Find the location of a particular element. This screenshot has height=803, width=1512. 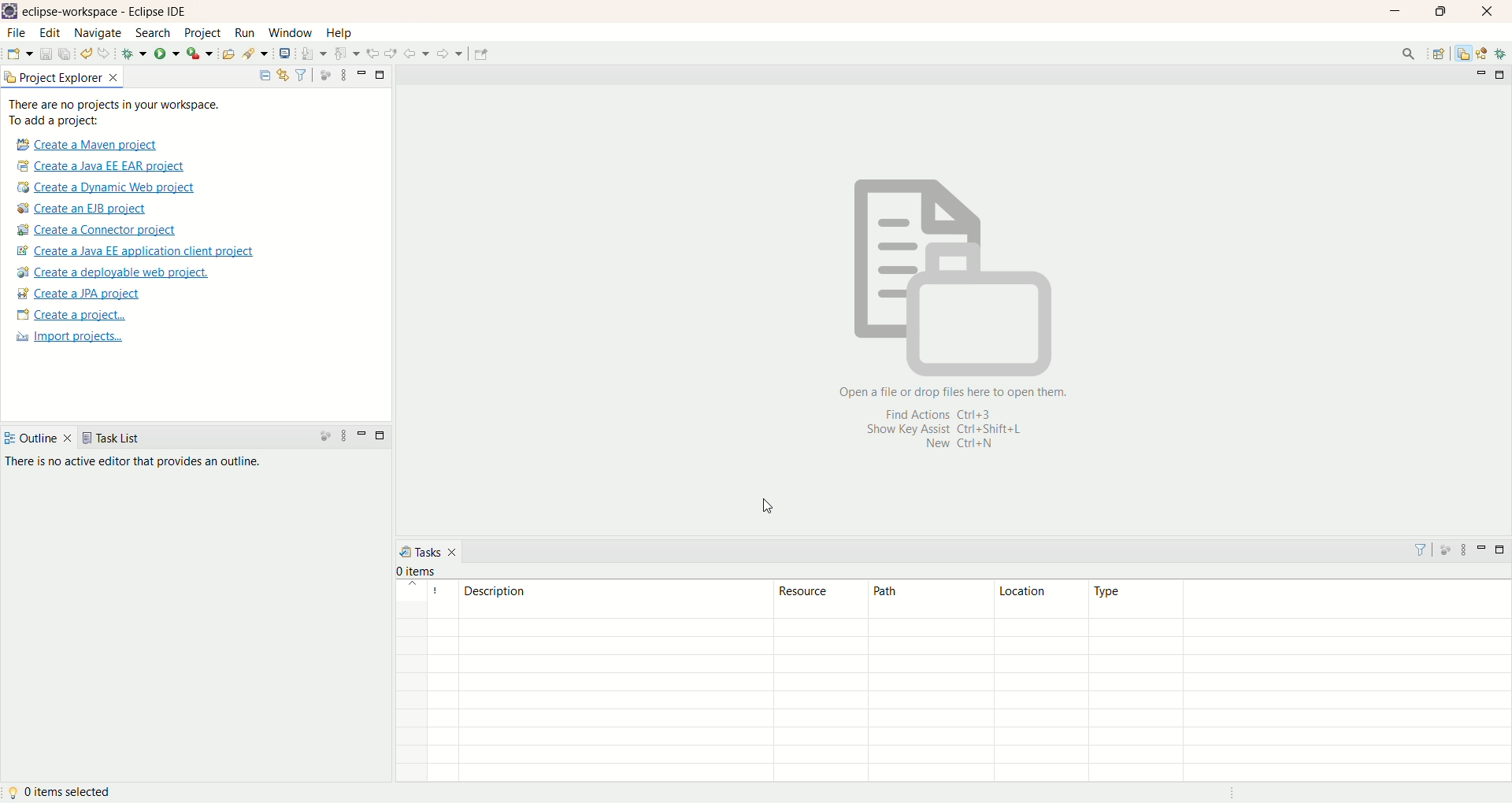

search is located at coordinates (154, 32).